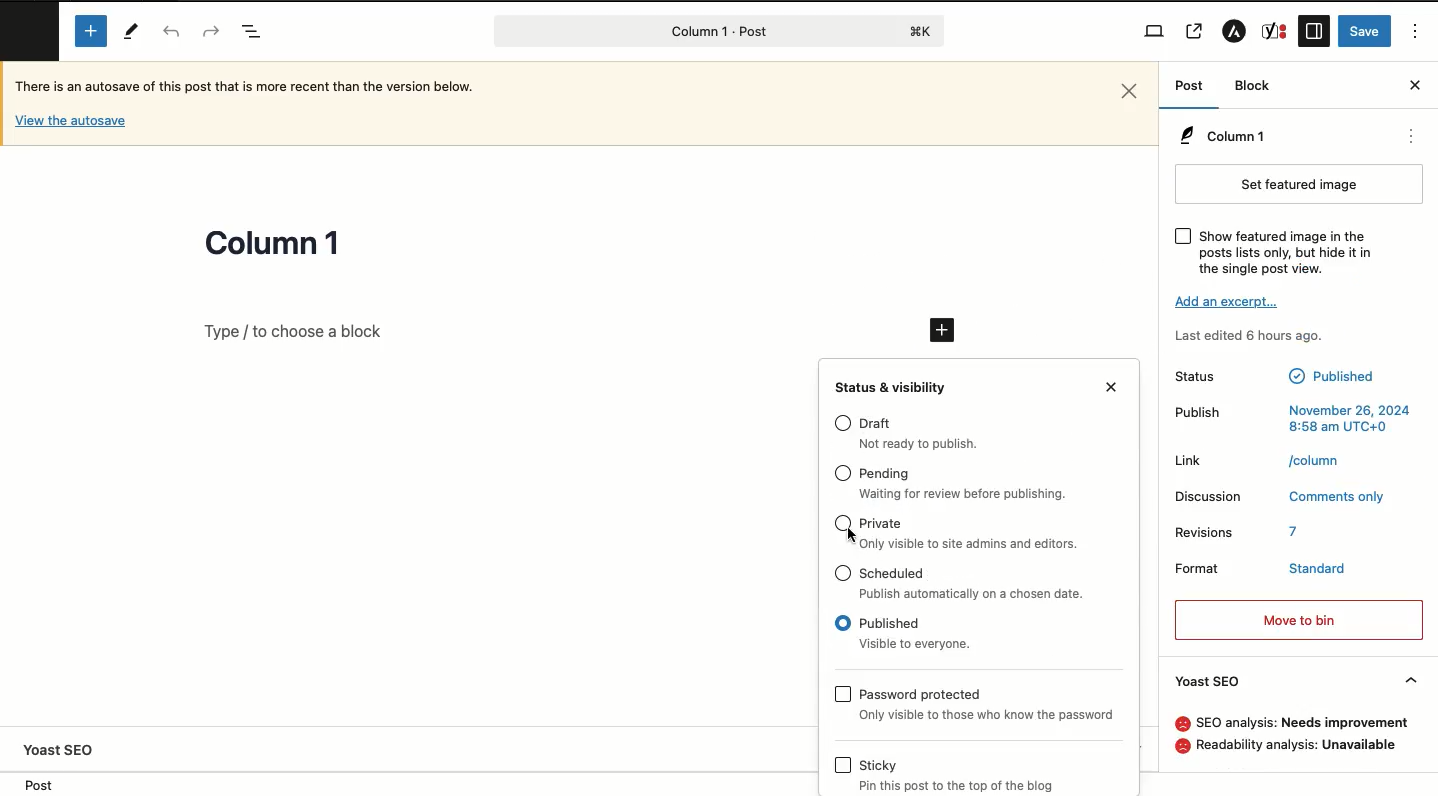 The width and height of the screenshot is (1438, 796). Describe the element at coordinates (1416, 32) in the screenshot. I see `Options` at that location.